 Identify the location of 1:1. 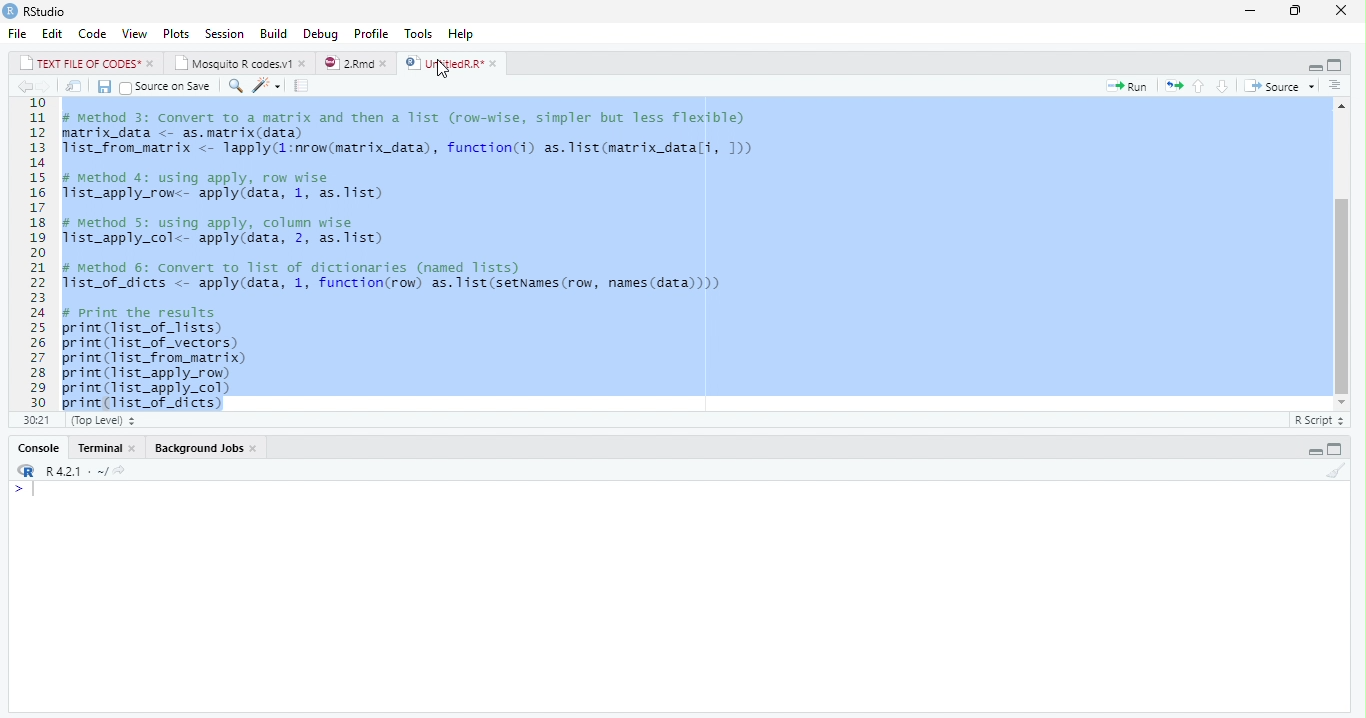
(34, 419).